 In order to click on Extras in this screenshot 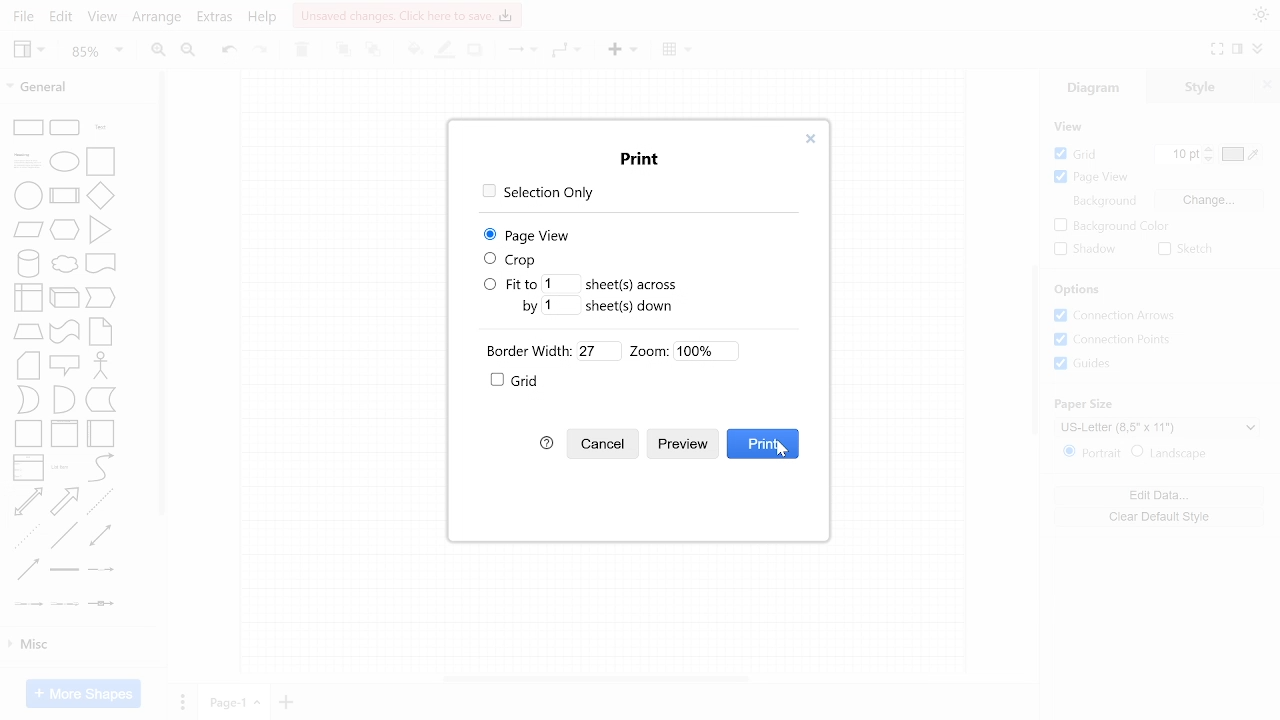, I will do `click(214, 18)`.